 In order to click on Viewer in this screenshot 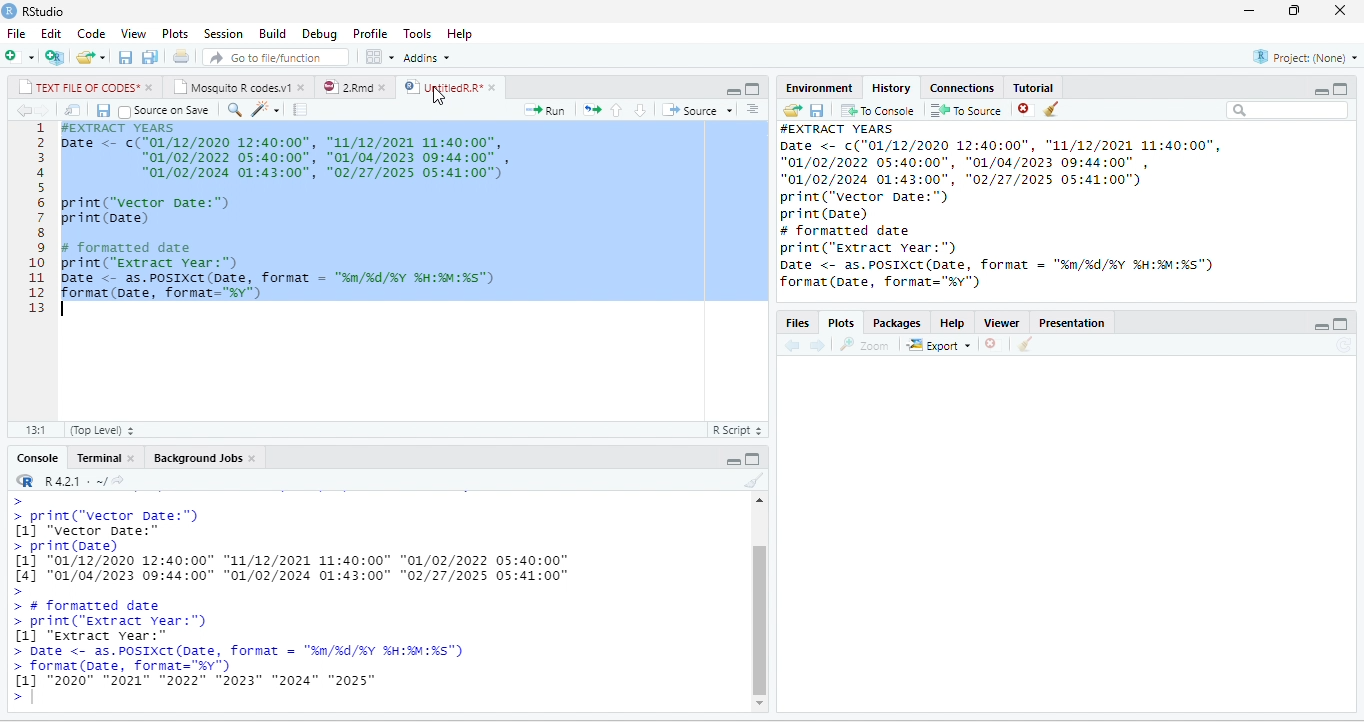, I will do `click(1001, 323)`.